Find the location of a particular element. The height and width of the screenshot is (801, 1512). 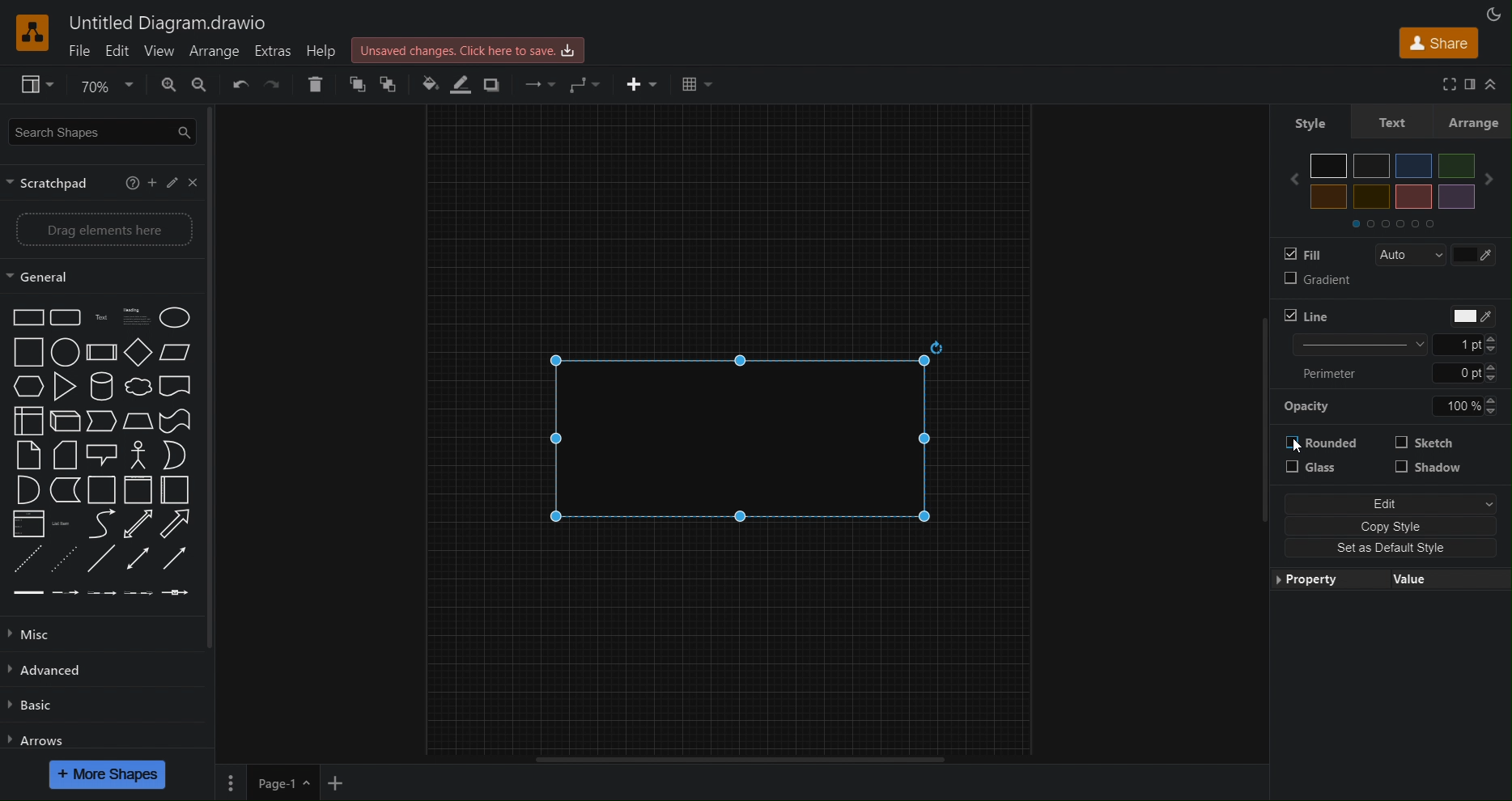

Style is located at coordinates (1306, 124).